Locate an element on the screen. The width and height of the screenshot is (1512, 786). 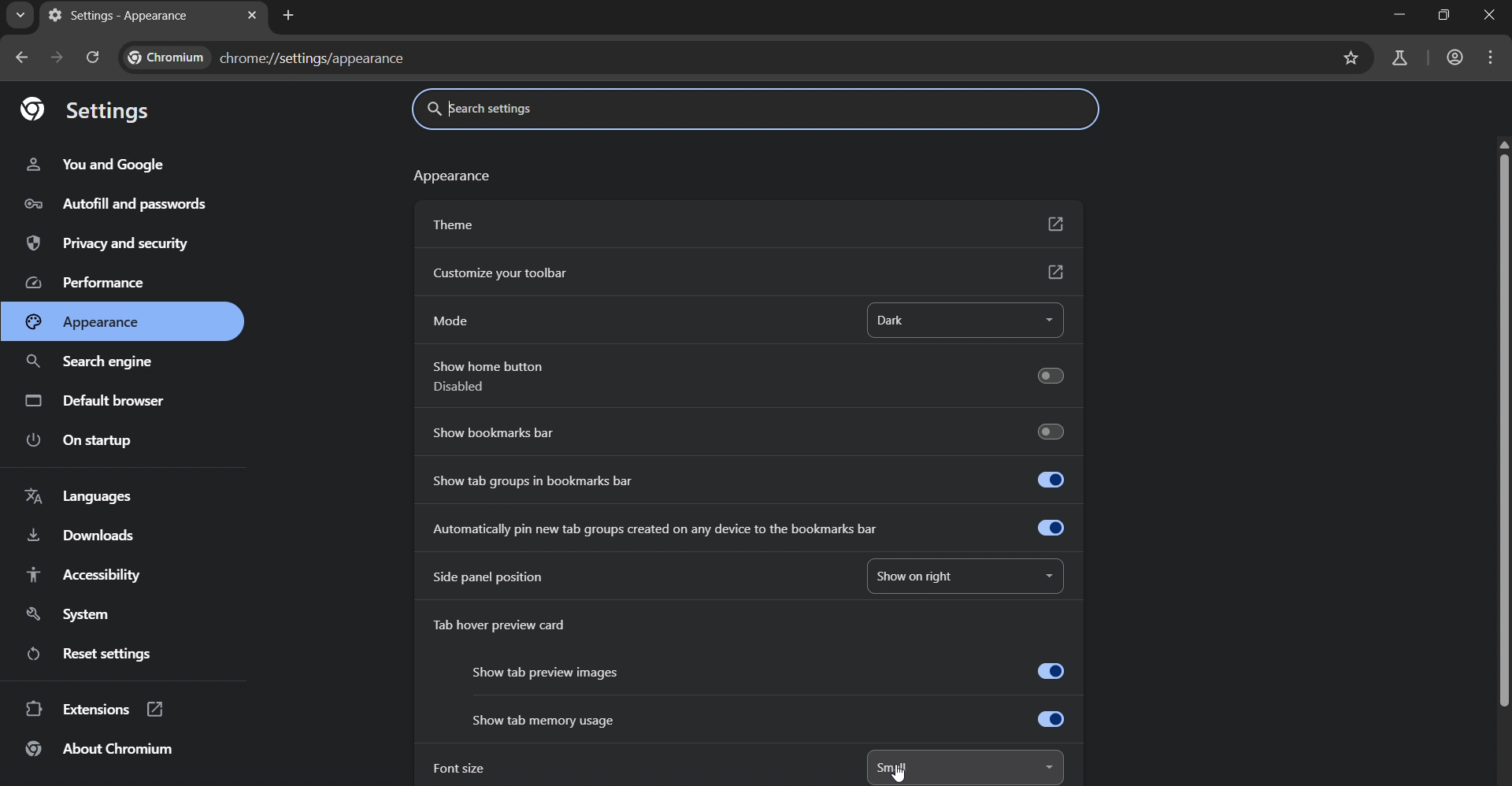
search labs is located at coordinates (1398, 59).